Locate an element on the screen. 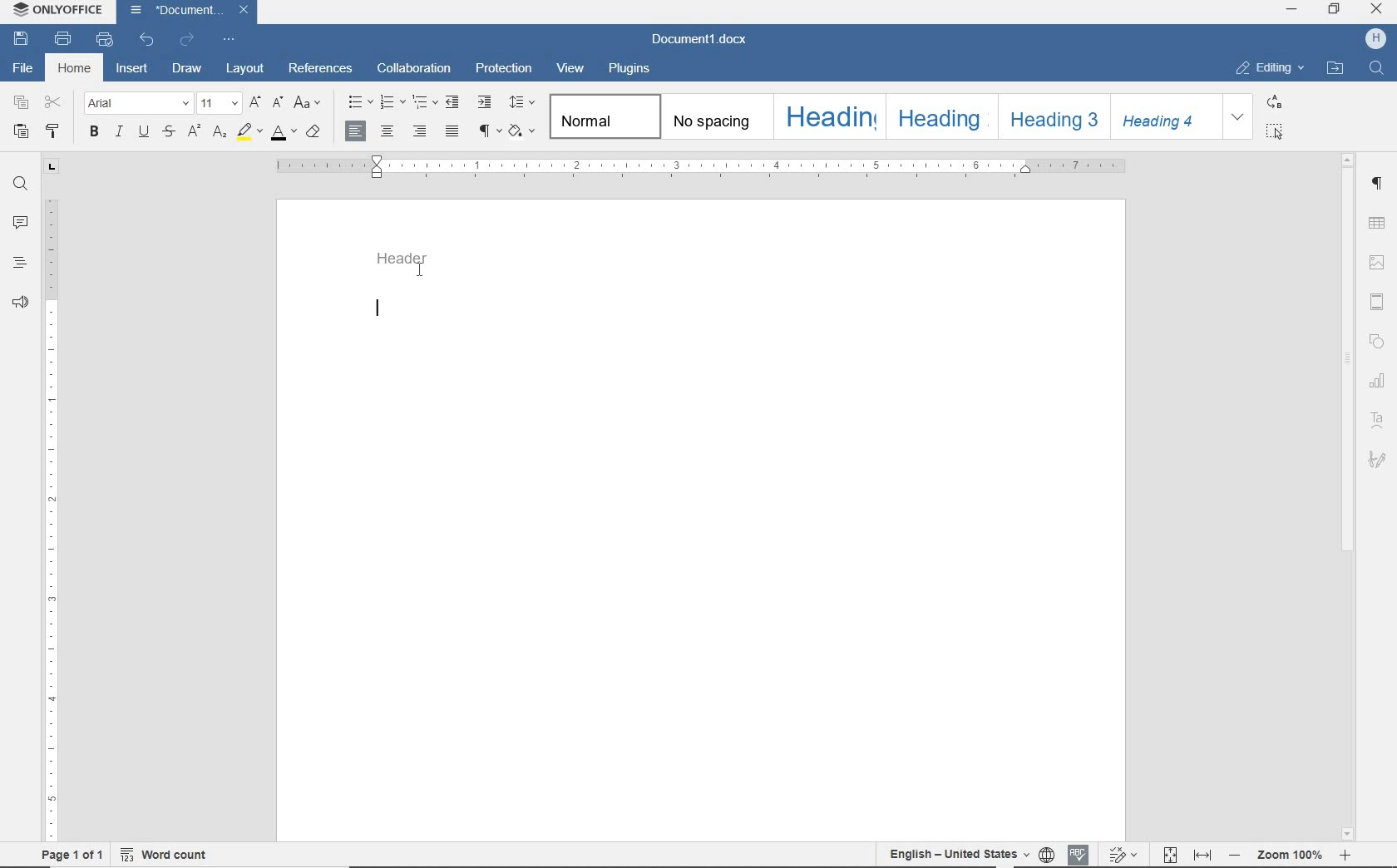  draw is located at coordinates (187, 67).